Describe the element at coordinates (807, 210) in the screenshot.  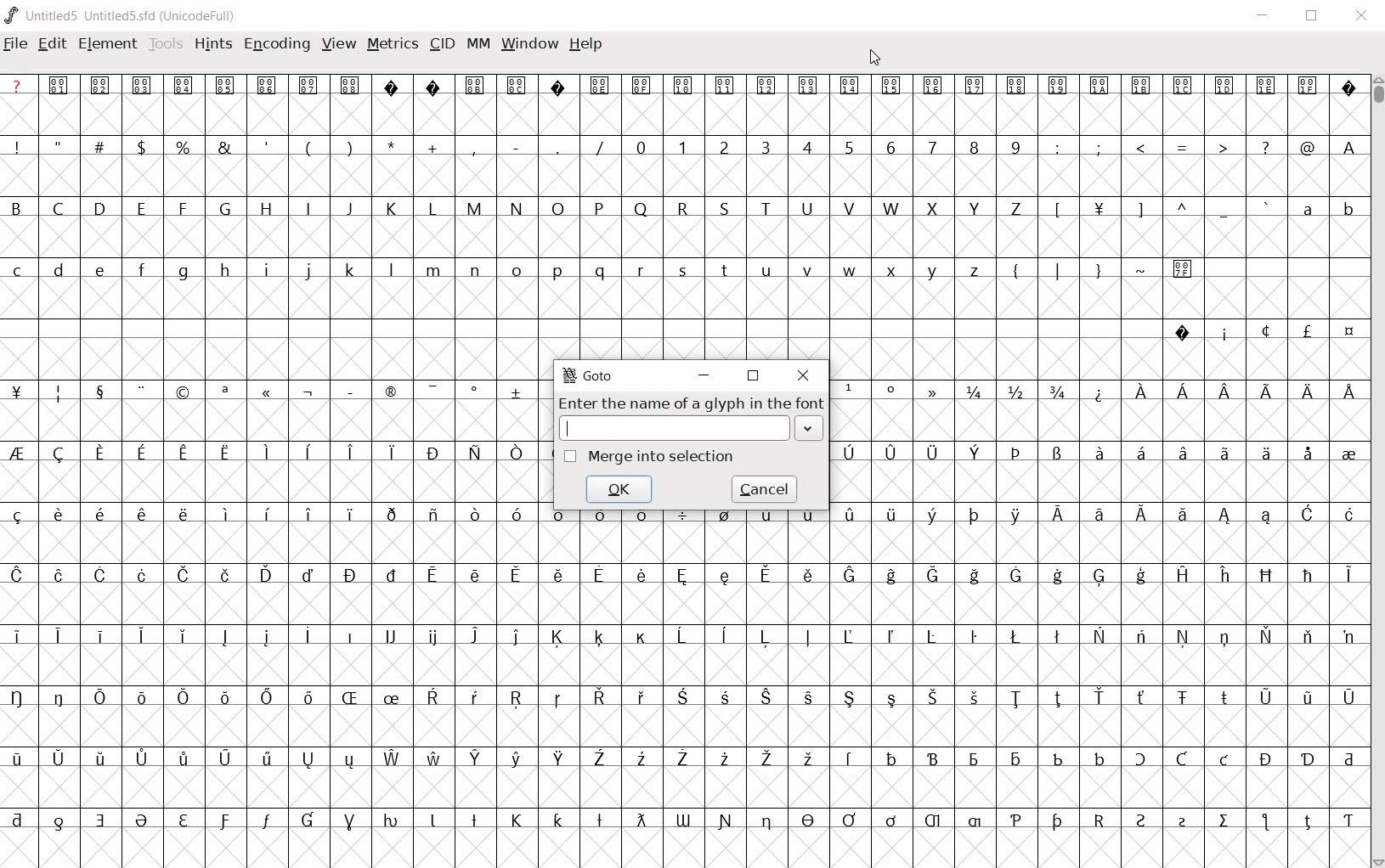
I see `U` at that location.